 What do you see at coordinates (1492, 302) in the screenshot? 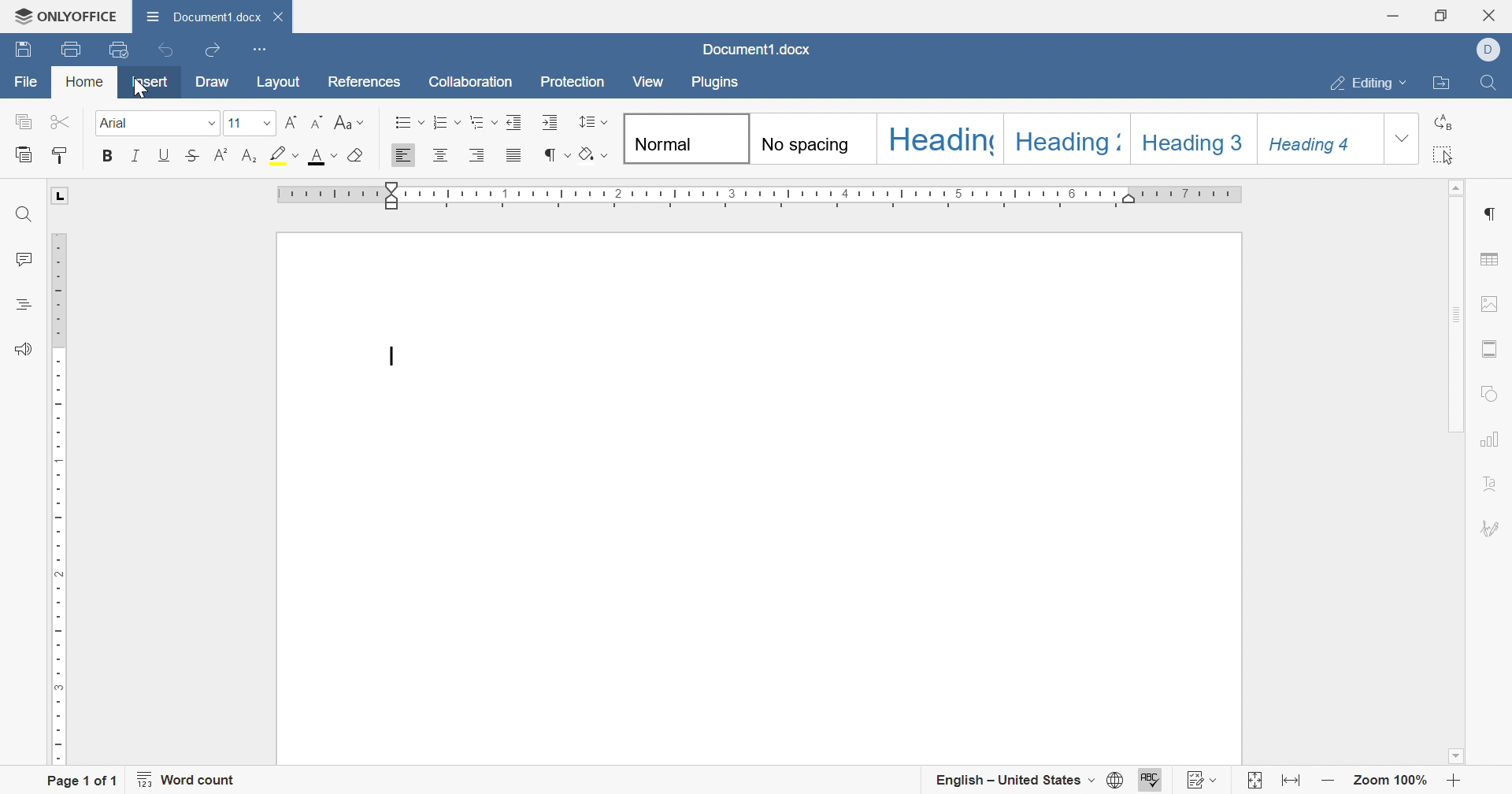
I see `Image settings` at bounding box center [1492, 302].